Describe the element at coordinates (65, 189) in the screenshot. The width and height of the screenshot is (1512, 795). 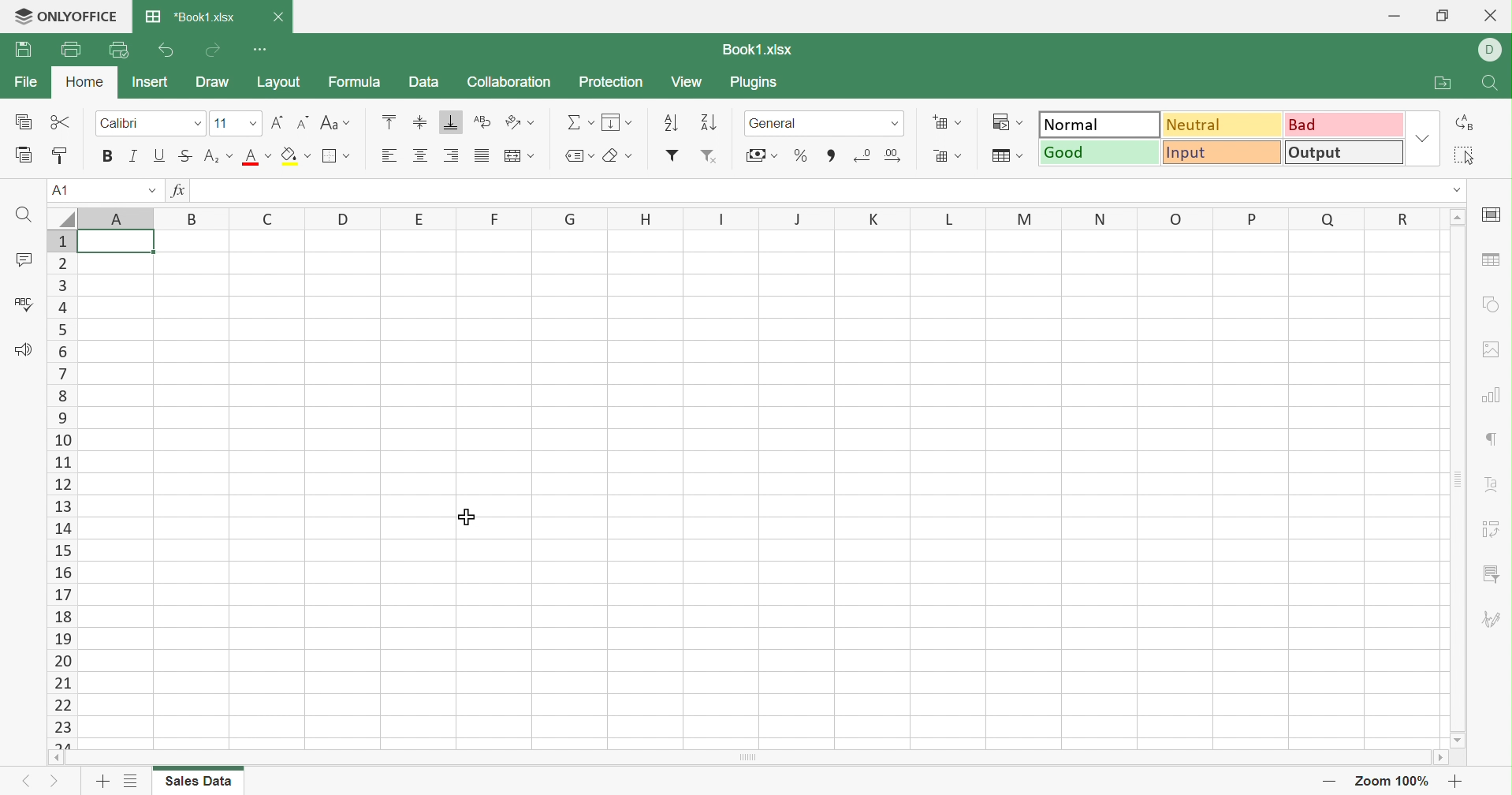
I see `A1` at that location.